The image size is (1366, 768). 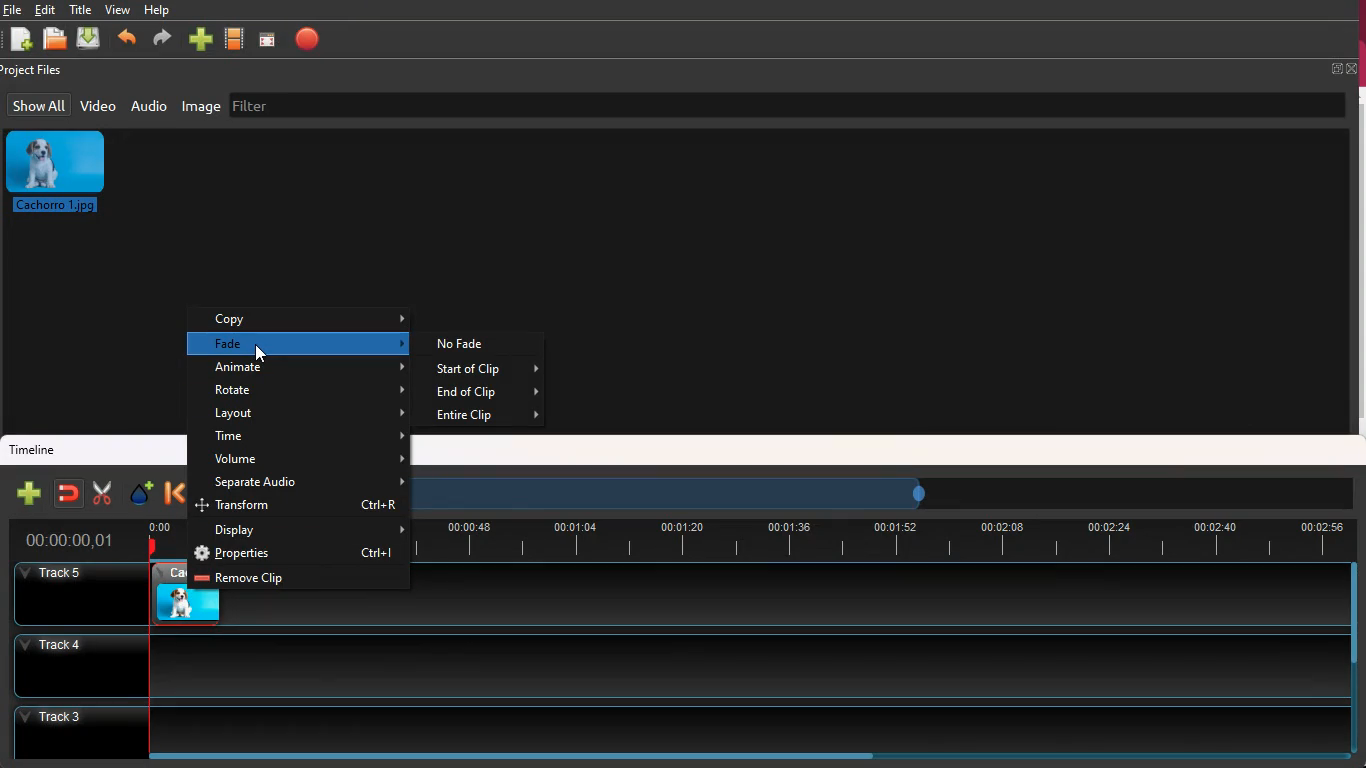 I want to click on image, so click(x=201, y=108).